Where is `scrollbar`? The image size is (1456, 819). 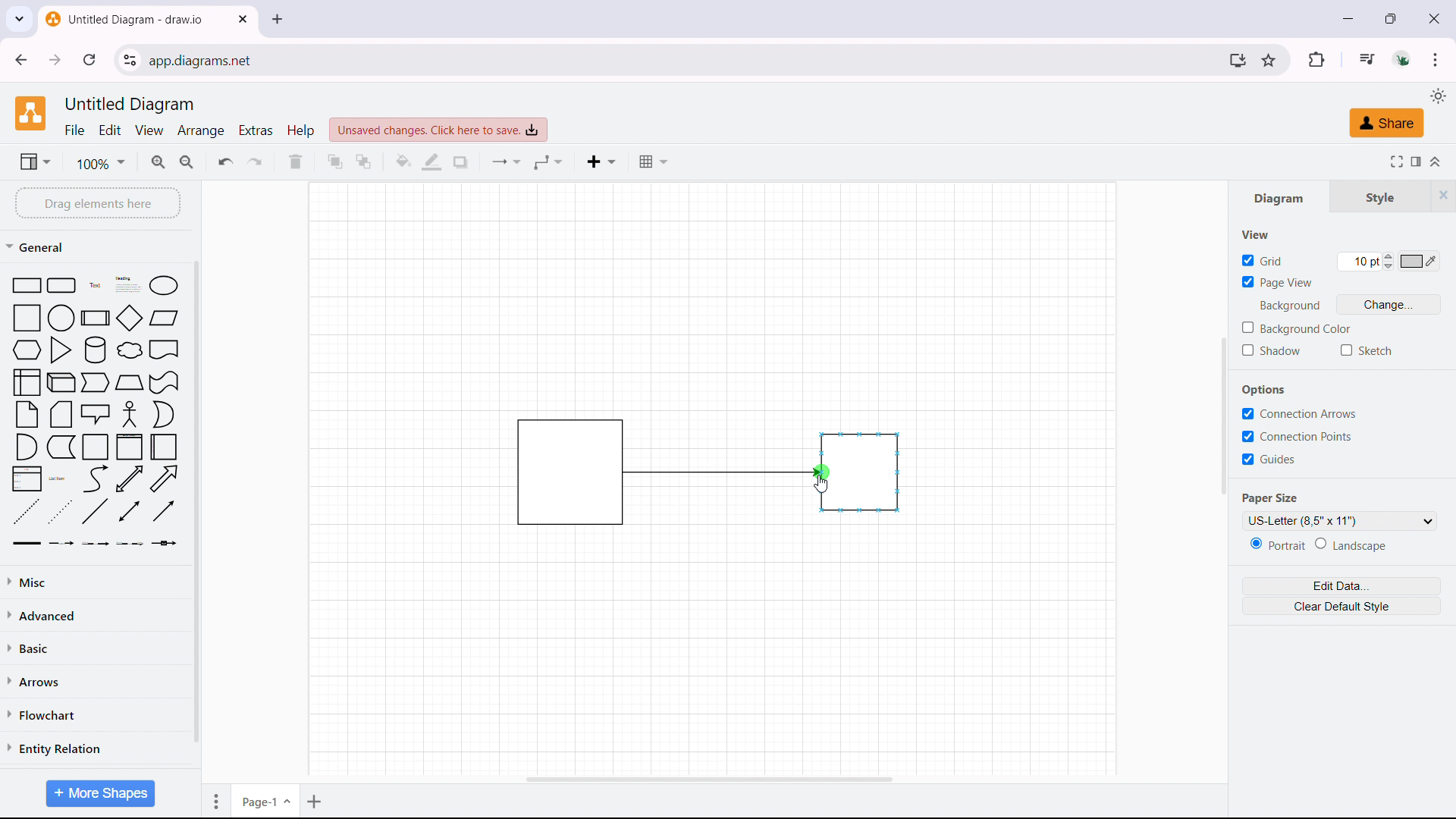 scrollbar is located at coordinates (1224, 413).